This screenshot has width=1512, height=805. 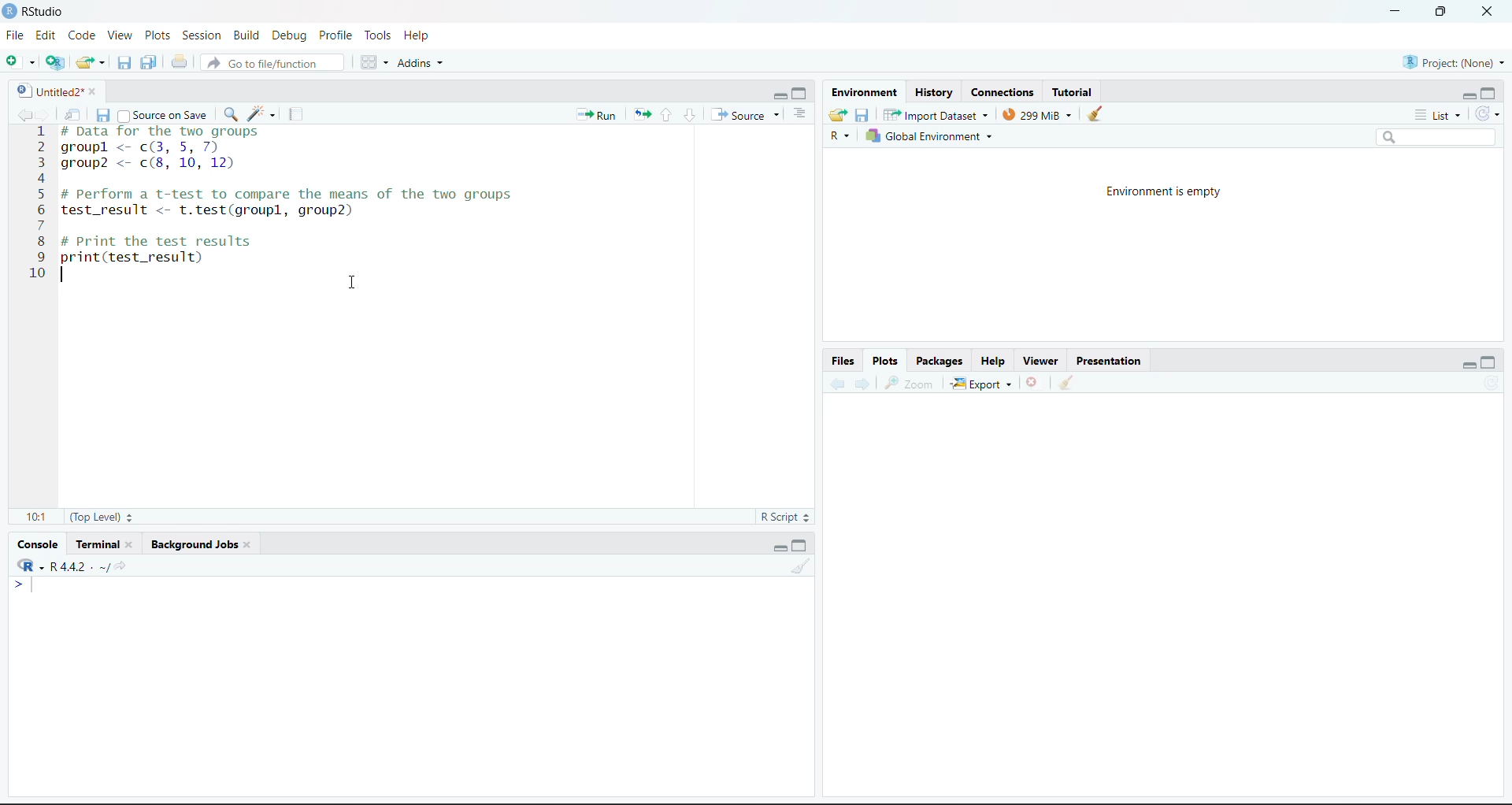 I want to click on R, so click(x=839, y=136).